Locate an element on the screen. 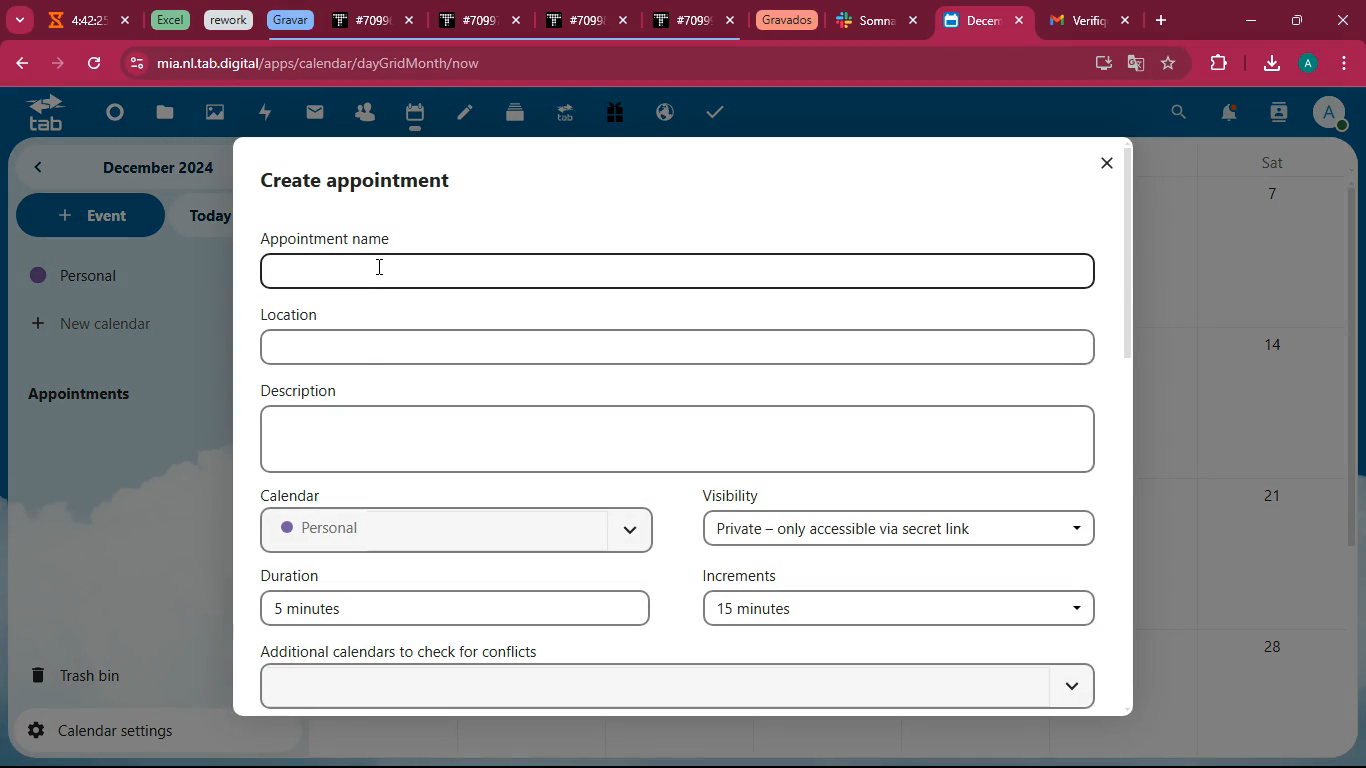 The image size is (1366, 768). type is located at coordinates (751, 273).